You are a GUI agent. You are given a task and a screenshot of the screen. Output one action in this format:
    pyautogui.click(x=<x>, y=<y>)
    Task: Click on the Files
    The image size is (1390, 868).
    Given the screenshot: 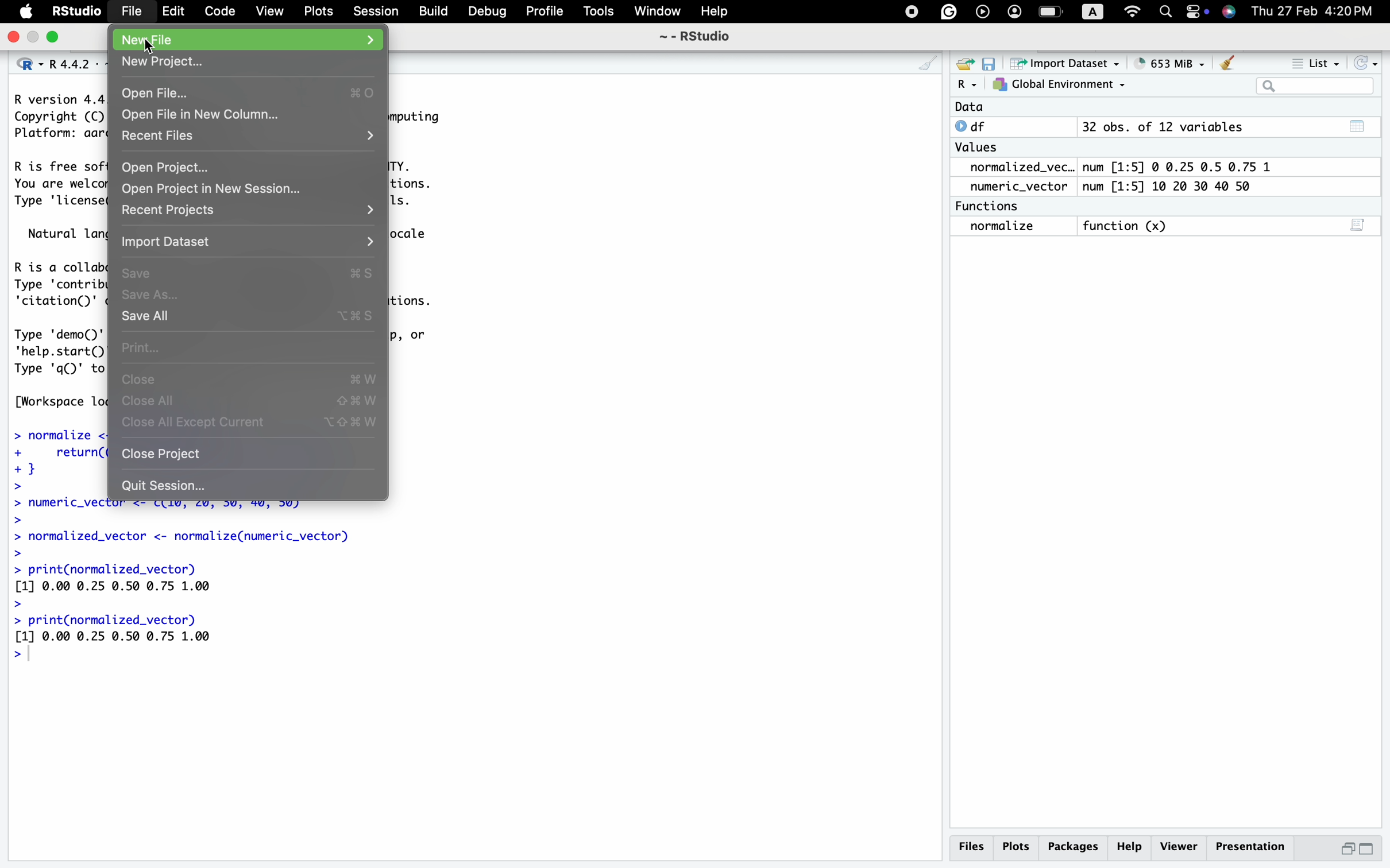 What is the action you would take?
    pyautogui.click(x=970, y=846)
    